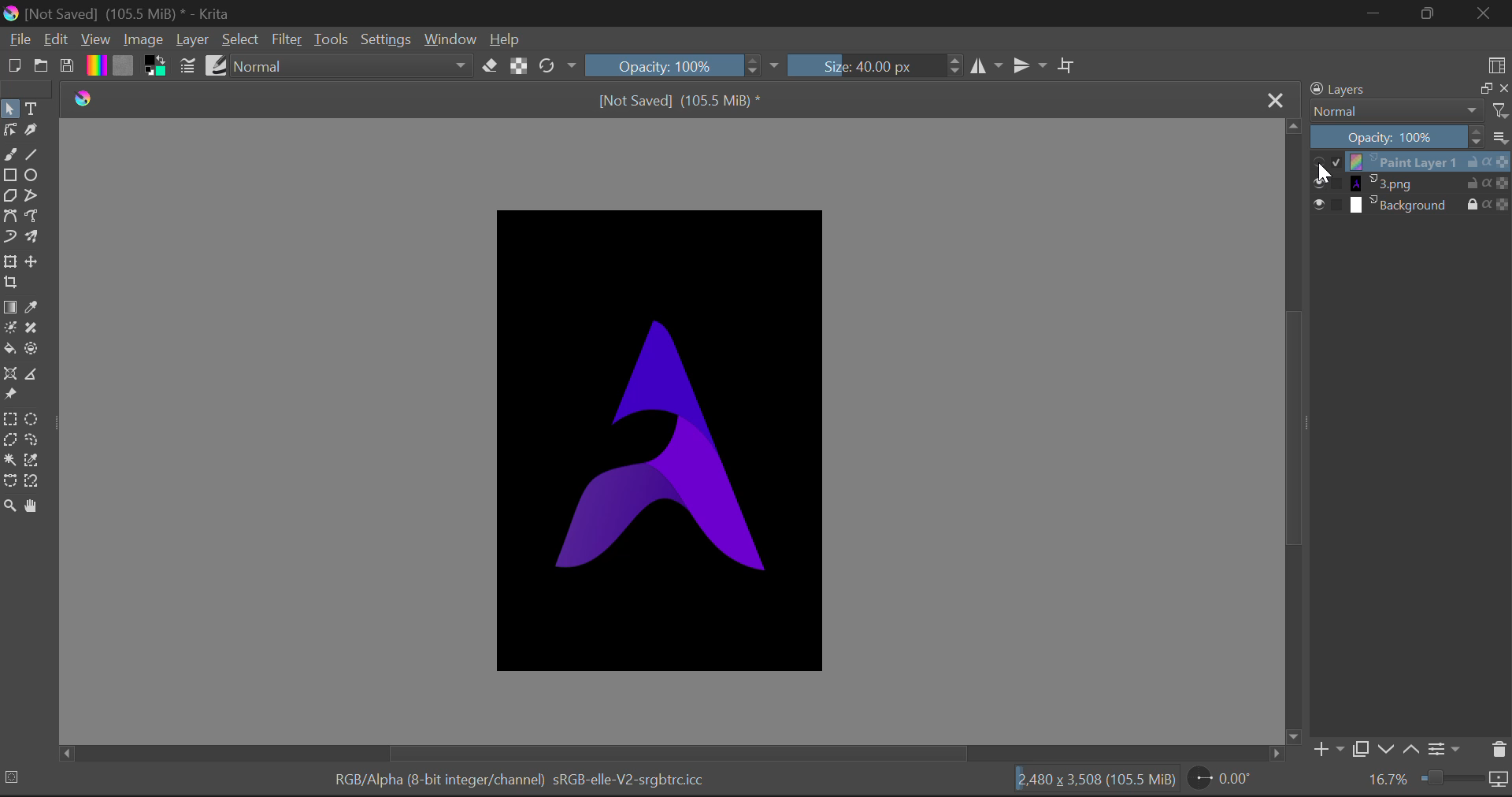  I want to click on Multibrush Tool, so click(33, 235).